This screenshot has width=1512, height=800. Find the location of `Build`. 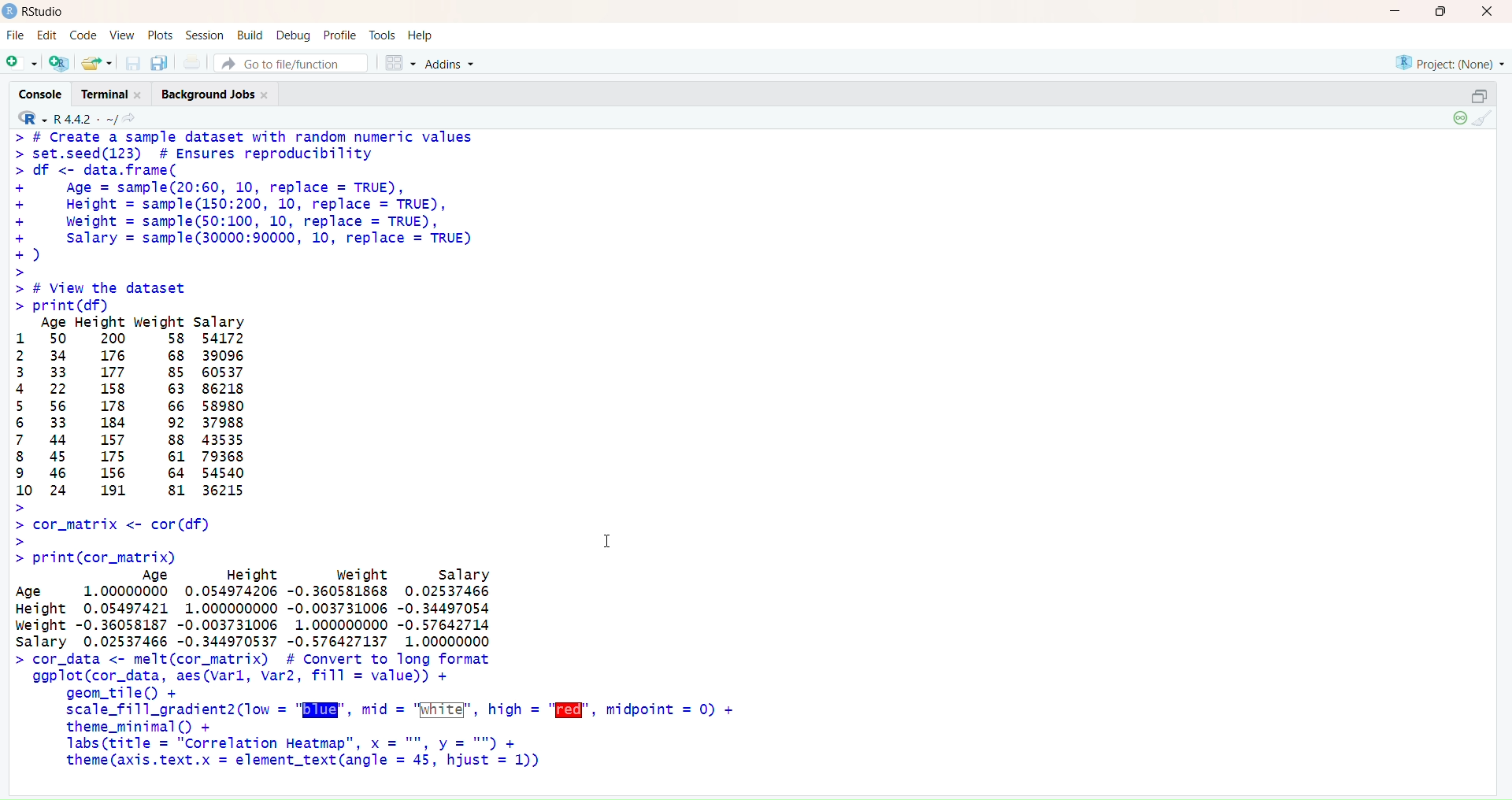

Build is located at coordinates (250, 34).